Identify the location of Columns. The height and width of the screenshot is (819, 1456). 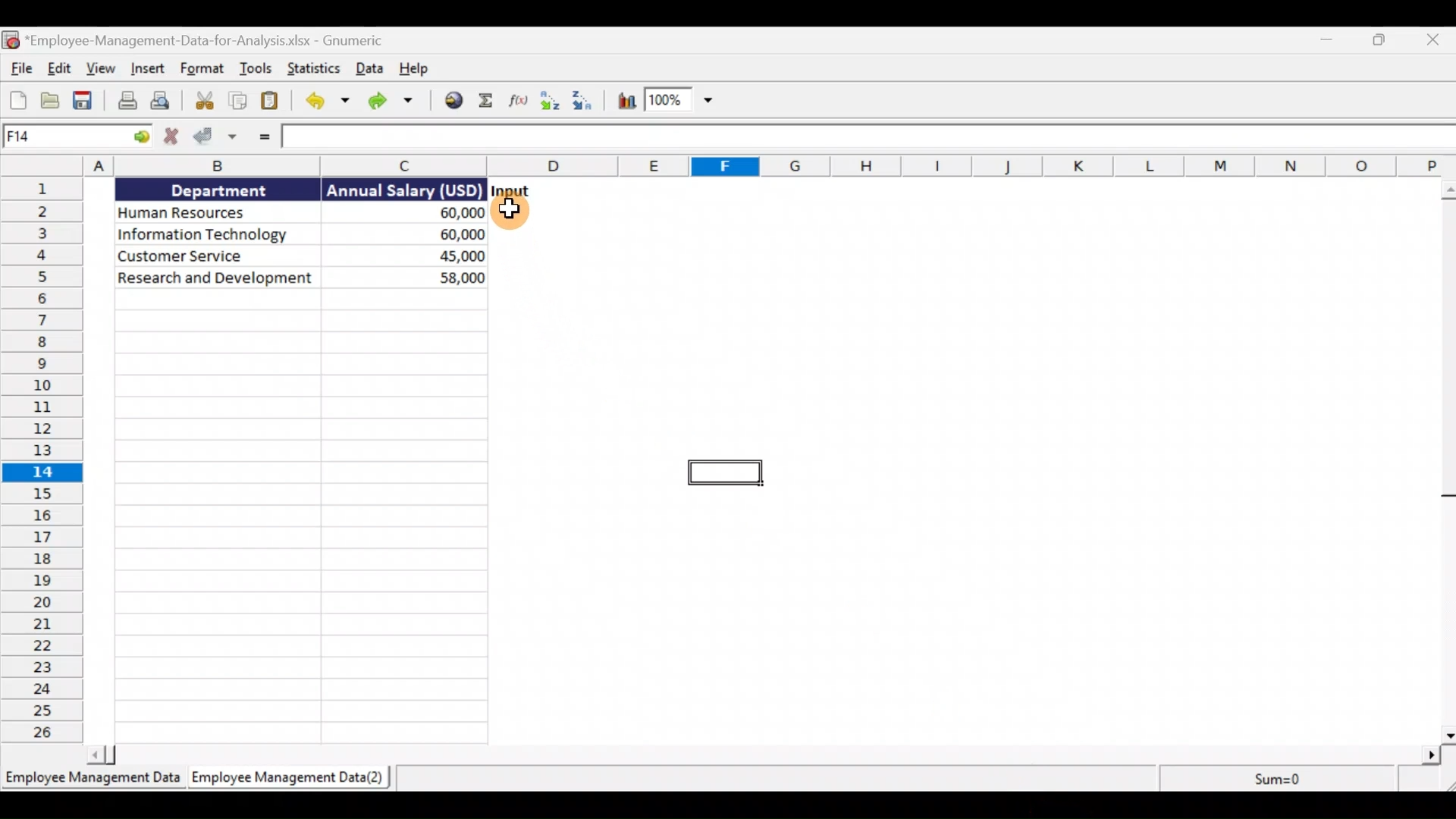
(731, 165).